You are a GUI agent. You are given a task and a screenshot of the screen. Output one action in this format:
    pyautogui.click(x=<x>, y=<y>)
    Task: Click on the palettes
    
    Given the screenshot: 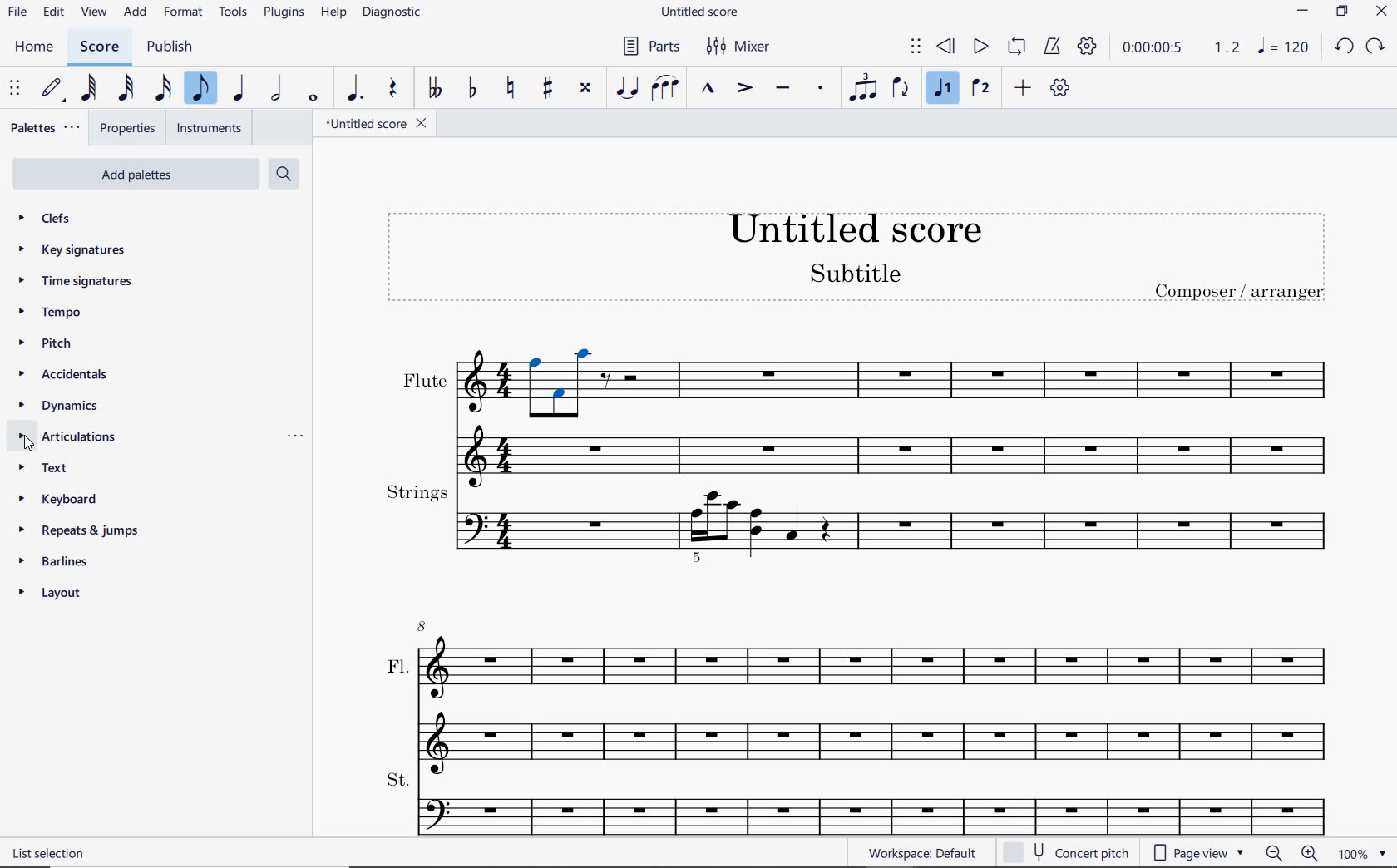 What is the action you would take?
    pyautogui.click(x=47, y=126)
    